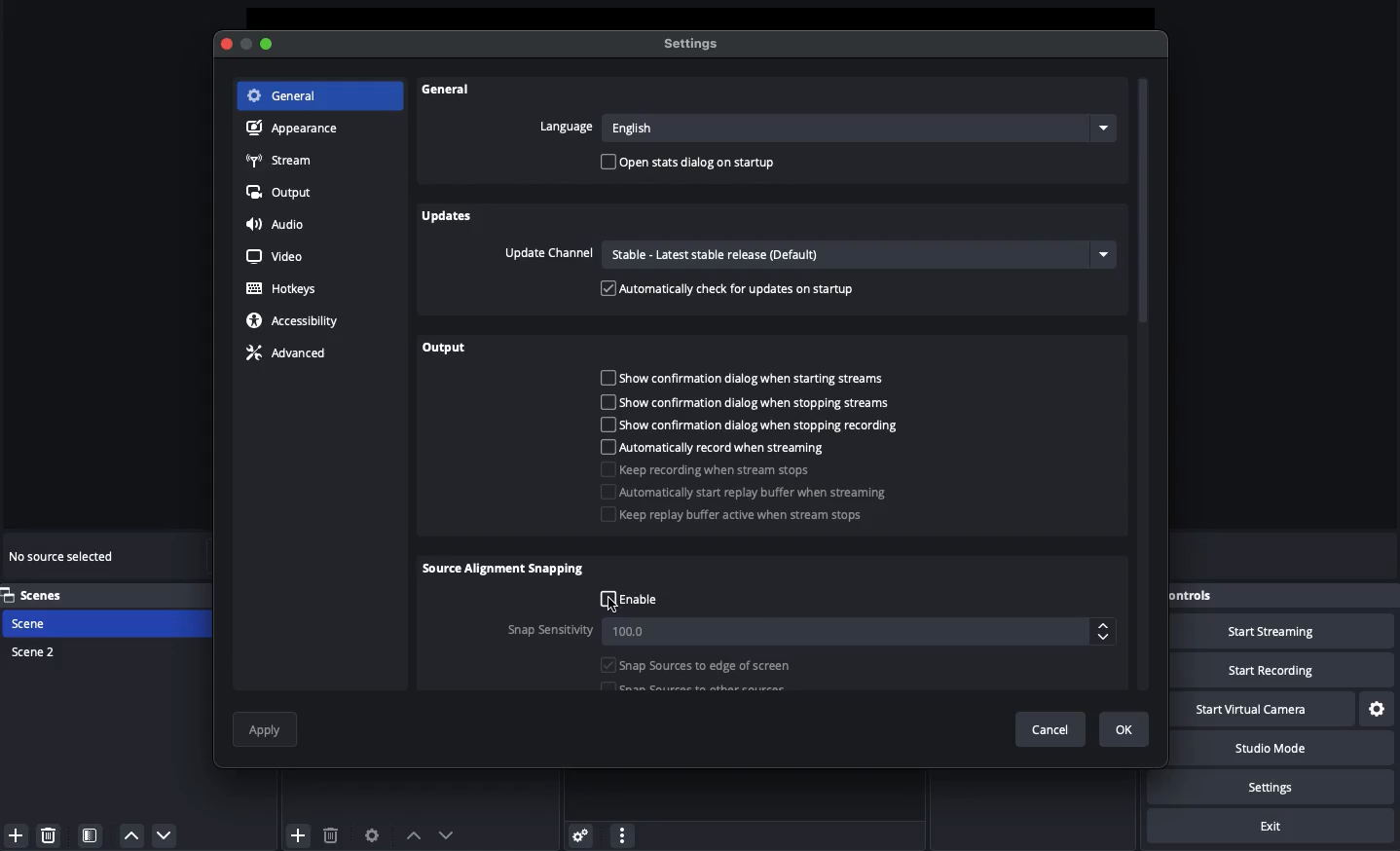 The height and width of the screenshot is (851, 1400). I want to click on Updates, so click(448, 216).